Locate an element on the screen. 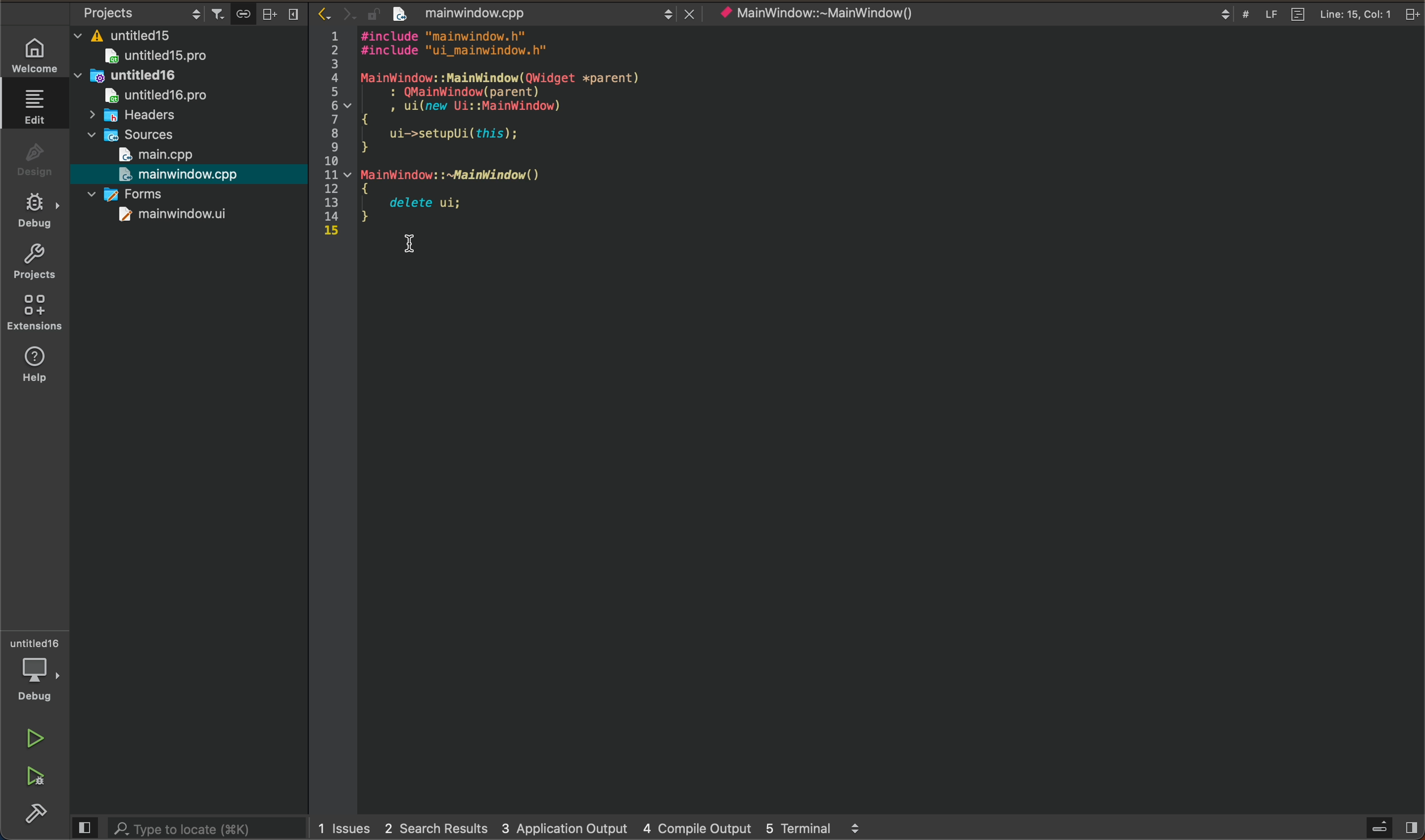  Line: 15, Col: 1 is located at coordinates (1344, 15).